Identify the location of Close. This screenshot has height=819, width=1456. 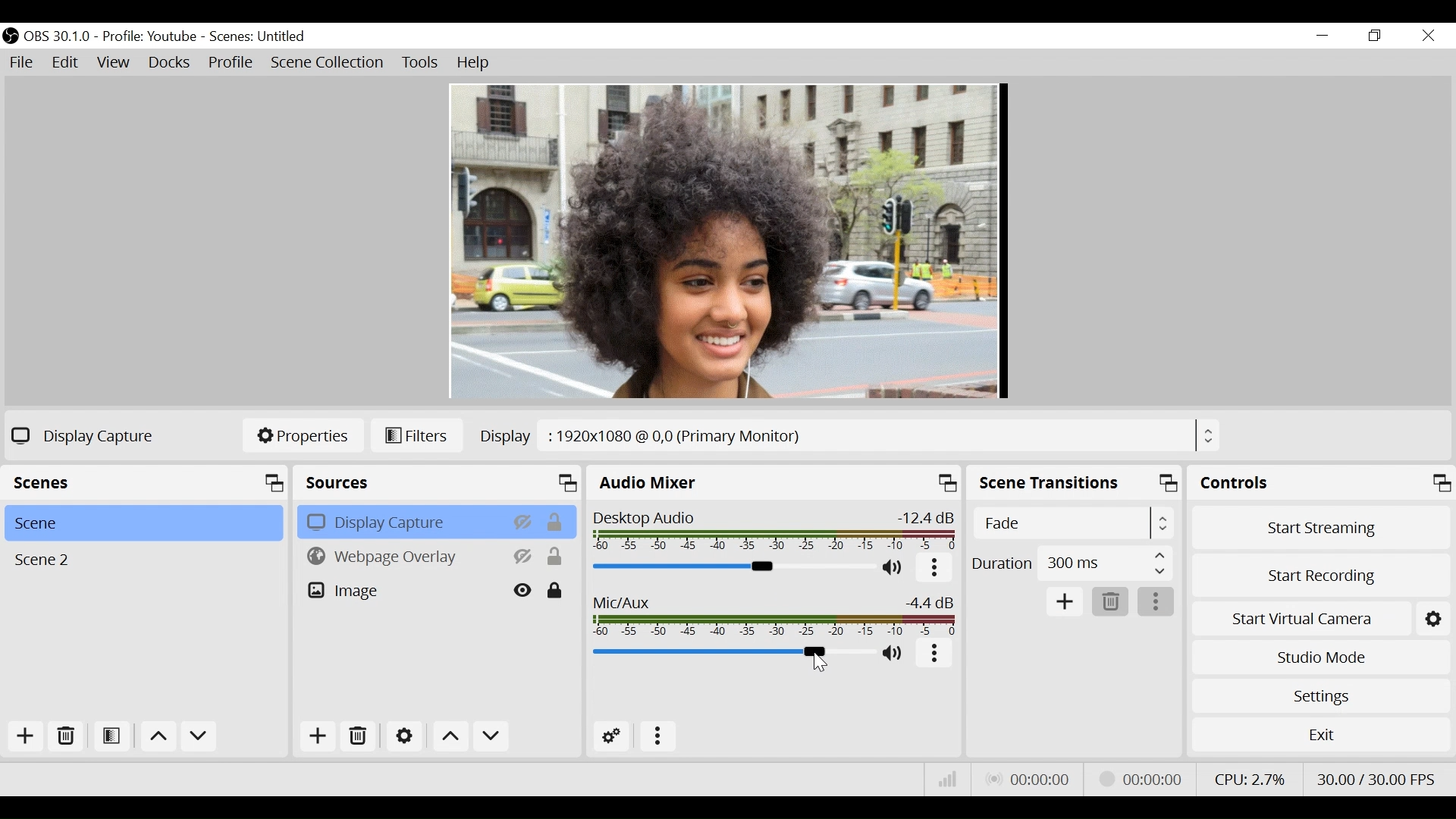
(1428, 36).